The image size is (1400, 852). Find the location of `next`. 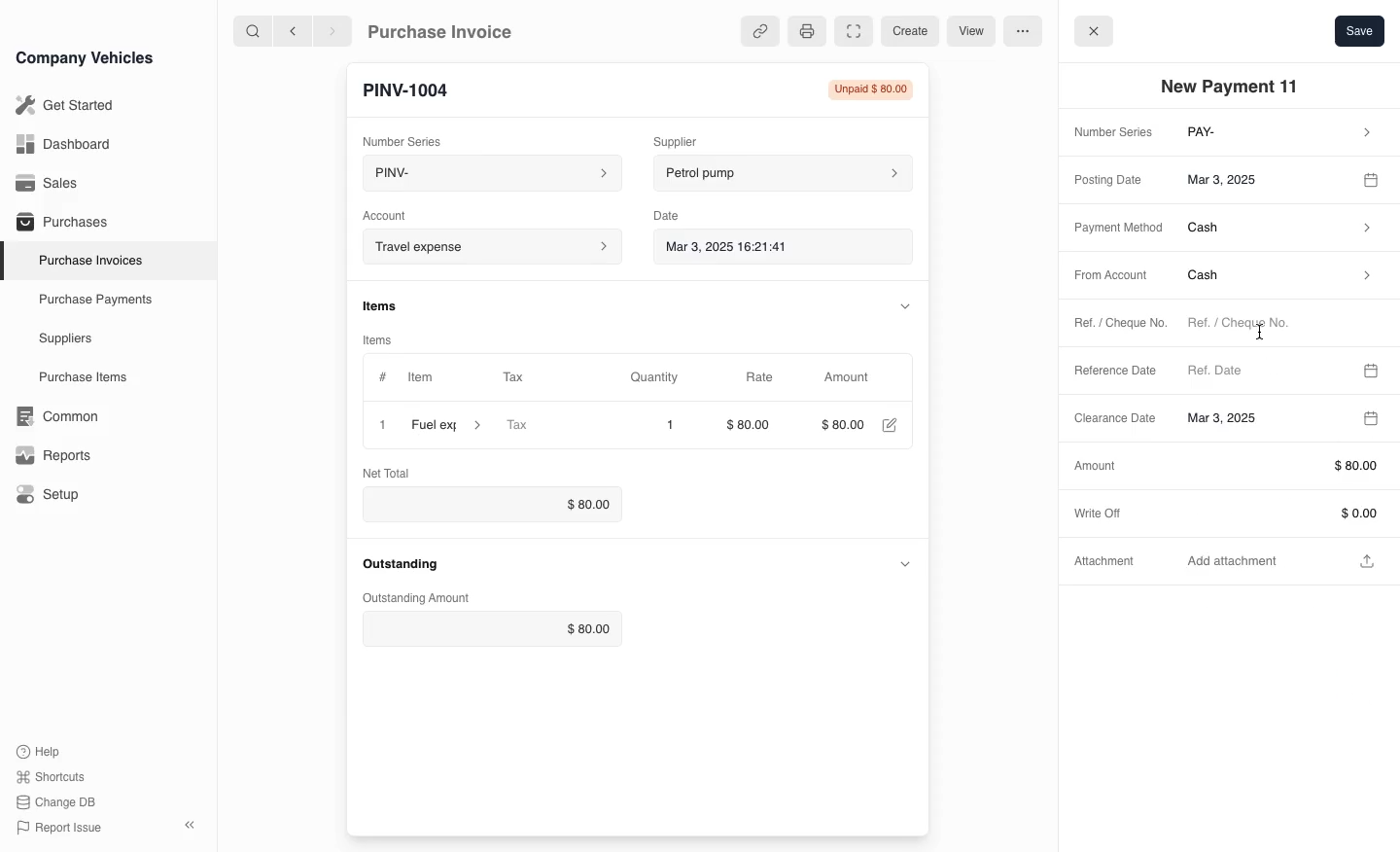

next is located at coordinates (332, 30).